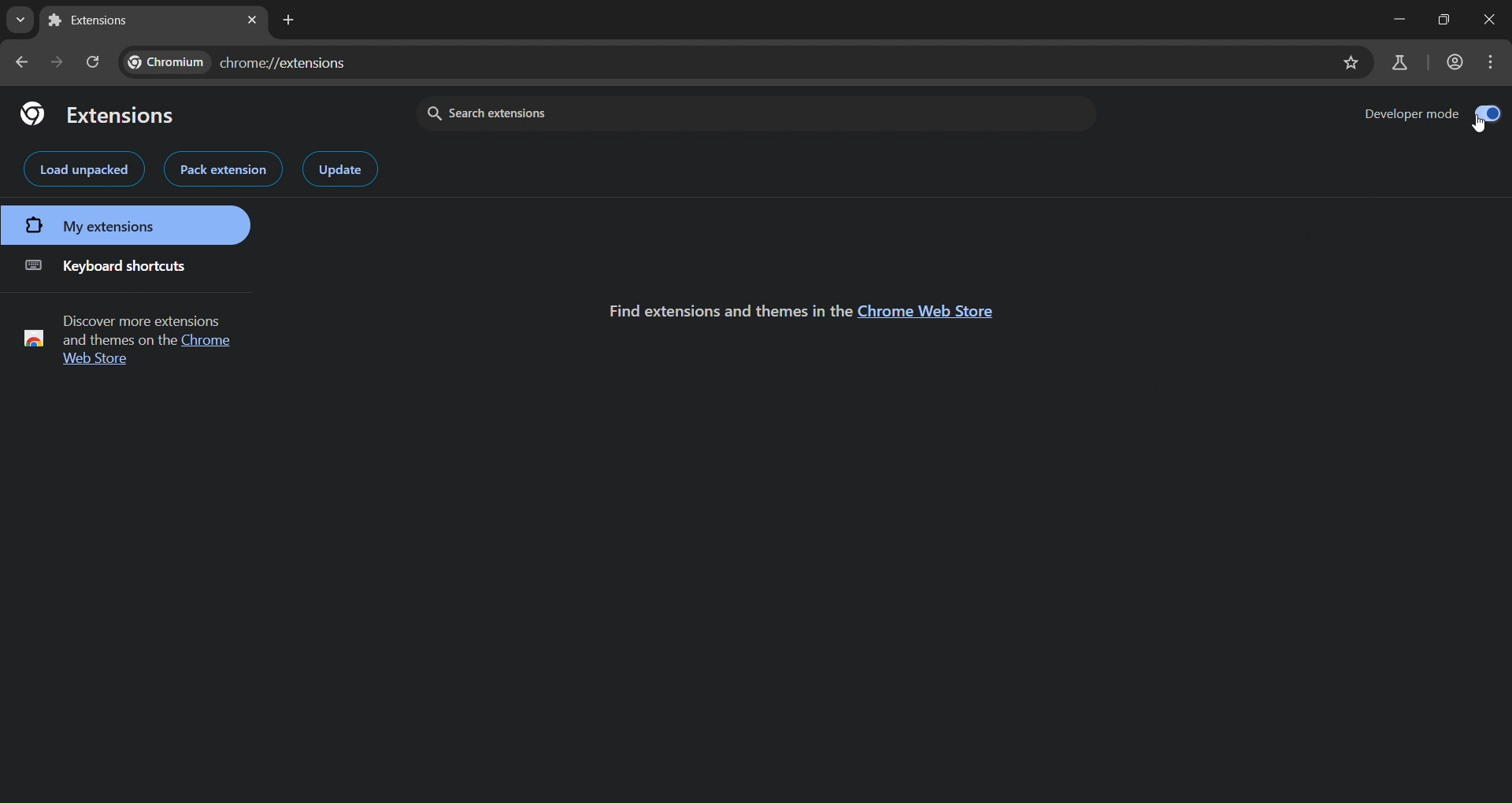 The image size is (1512, 803). Describe the element at coordinates (98, 113) in the screenshot. I see `extensions` at that location.